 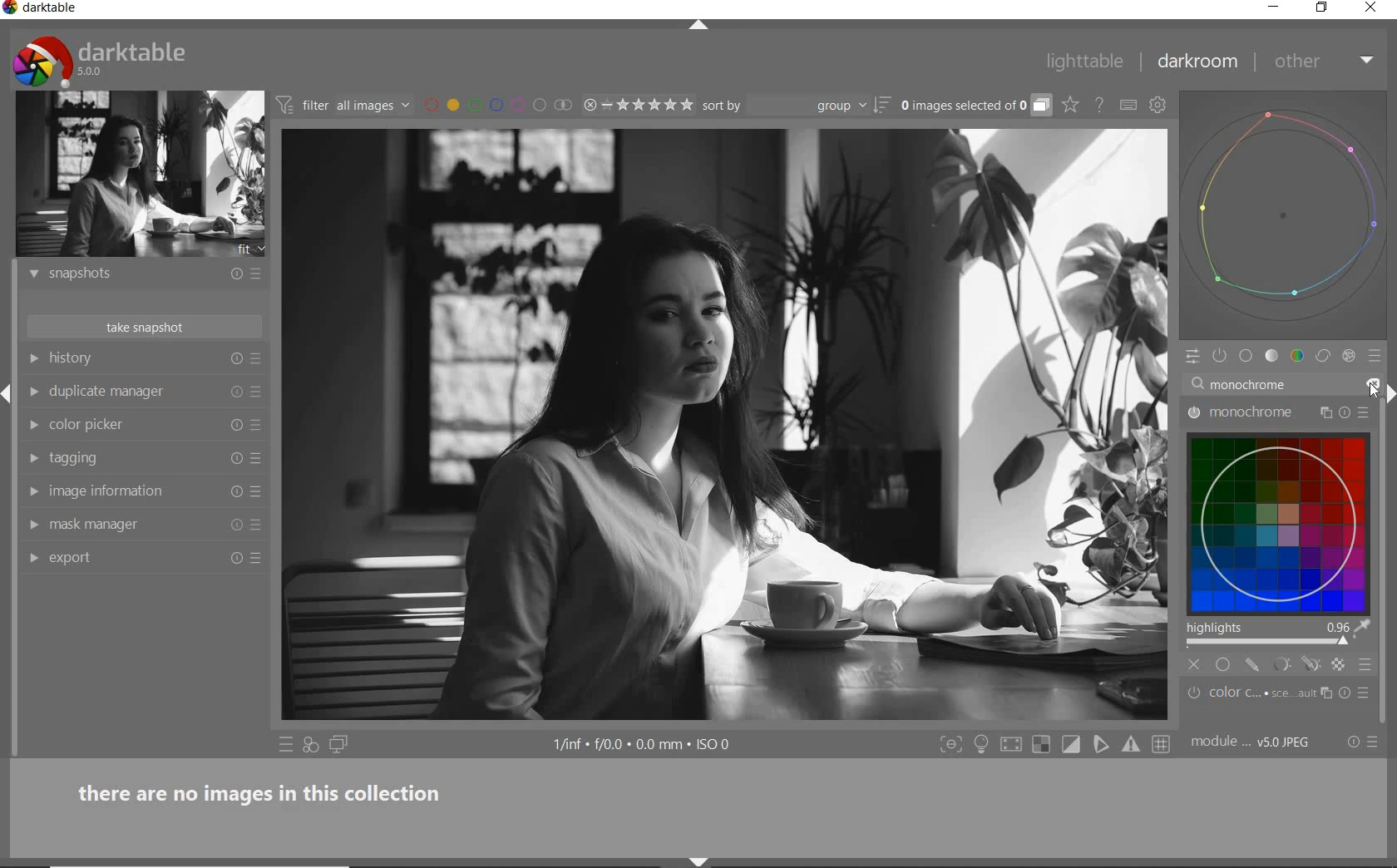 I want to click on reset, so click(x=234, y=492).